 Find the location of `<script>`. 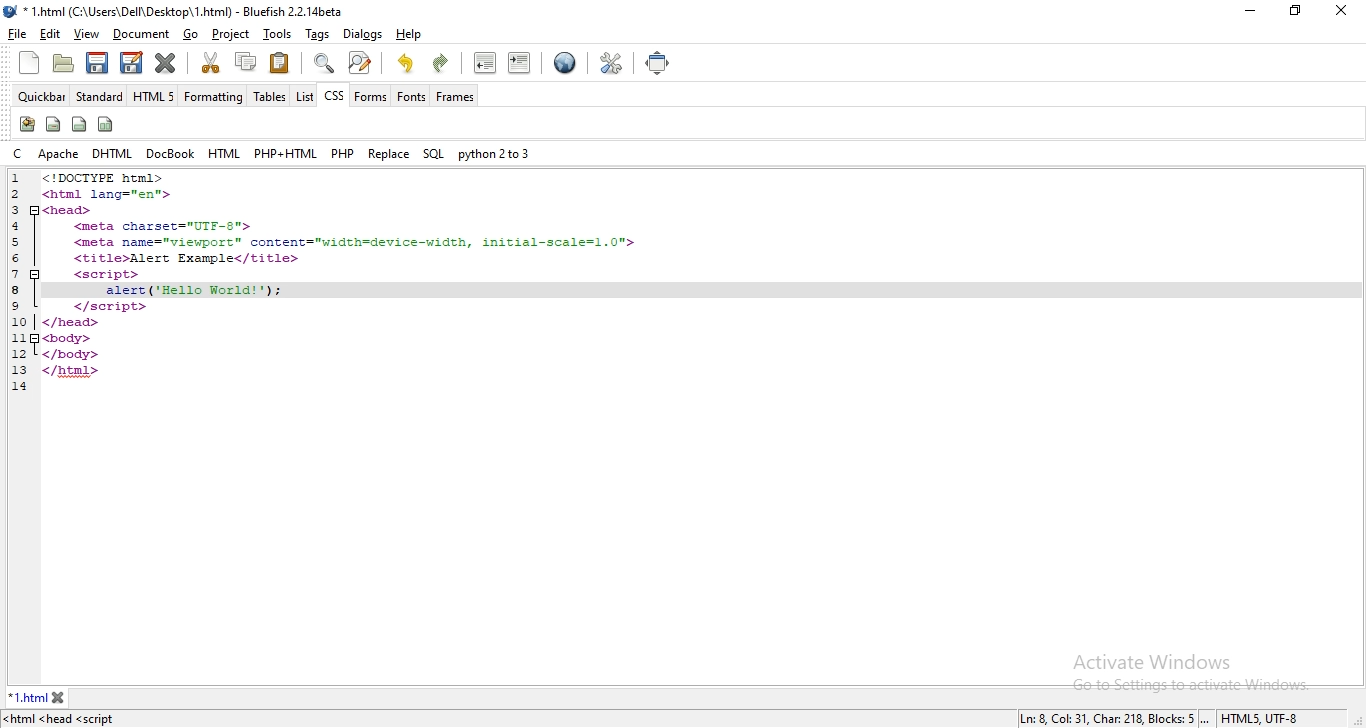

<script> is located at coordinates (107, 275).